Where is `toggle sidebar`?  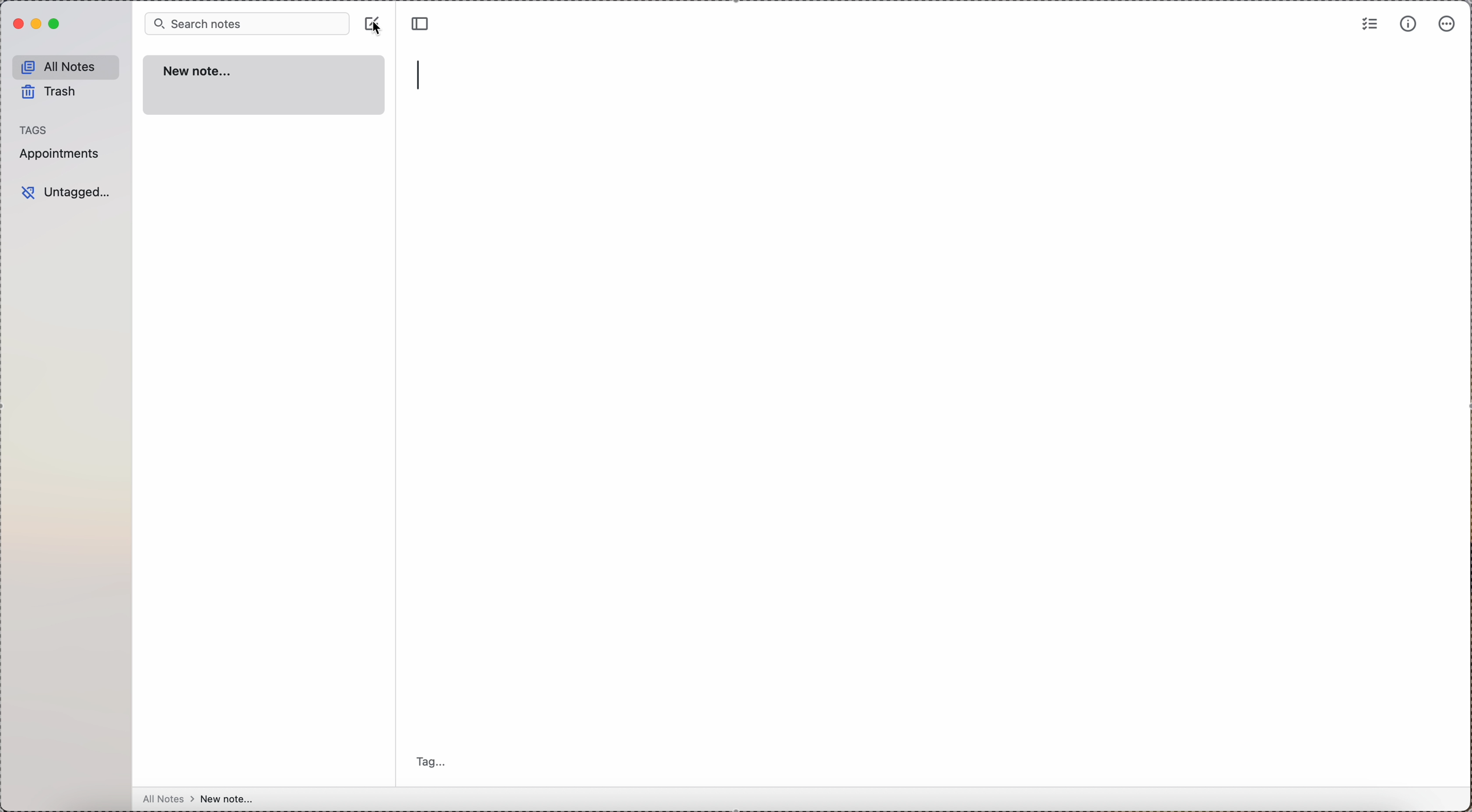 toggle sidebar is located at coordinates (421, 25).